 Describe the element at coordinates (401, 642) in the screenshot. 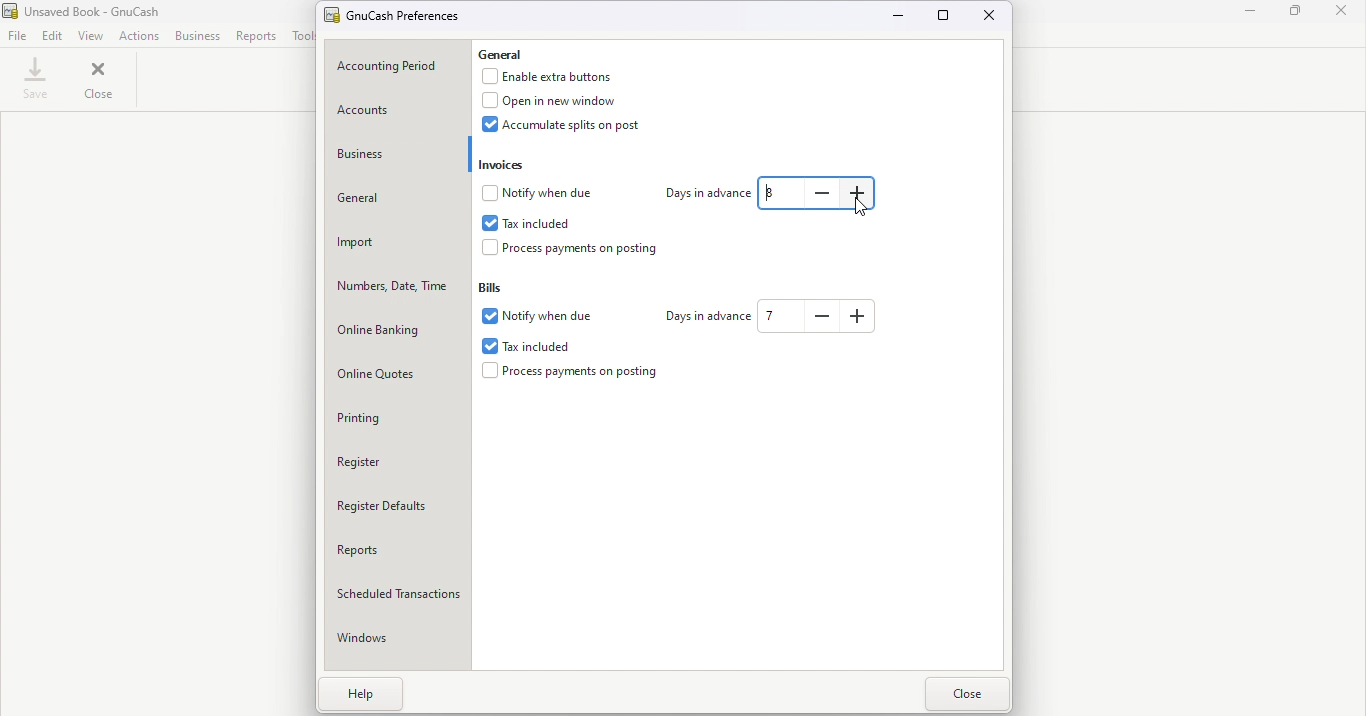

I see `Windows` at that location.